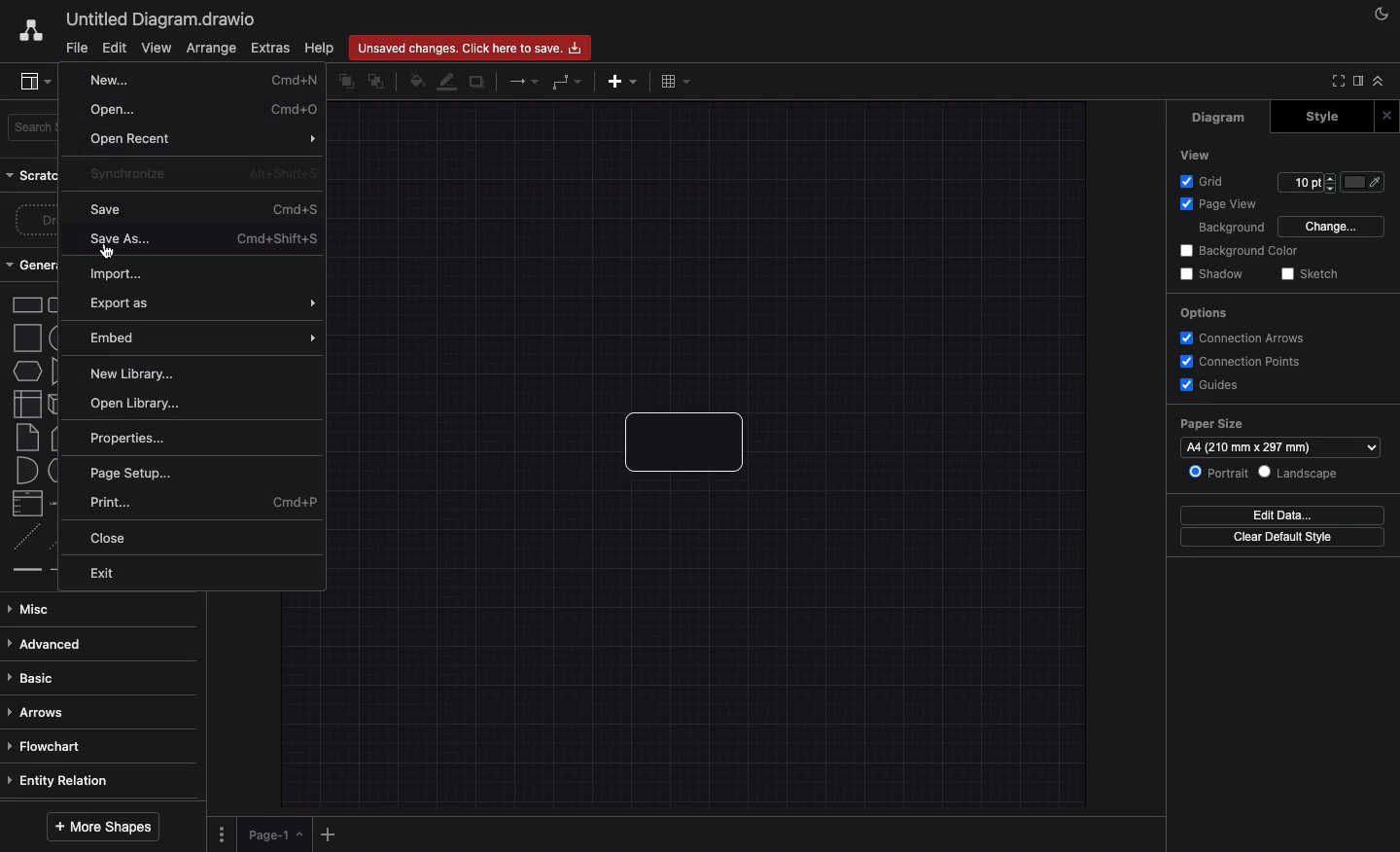 The width and height of the screenshot is (1400, 852). I want to click on Import, so click(120, 271).